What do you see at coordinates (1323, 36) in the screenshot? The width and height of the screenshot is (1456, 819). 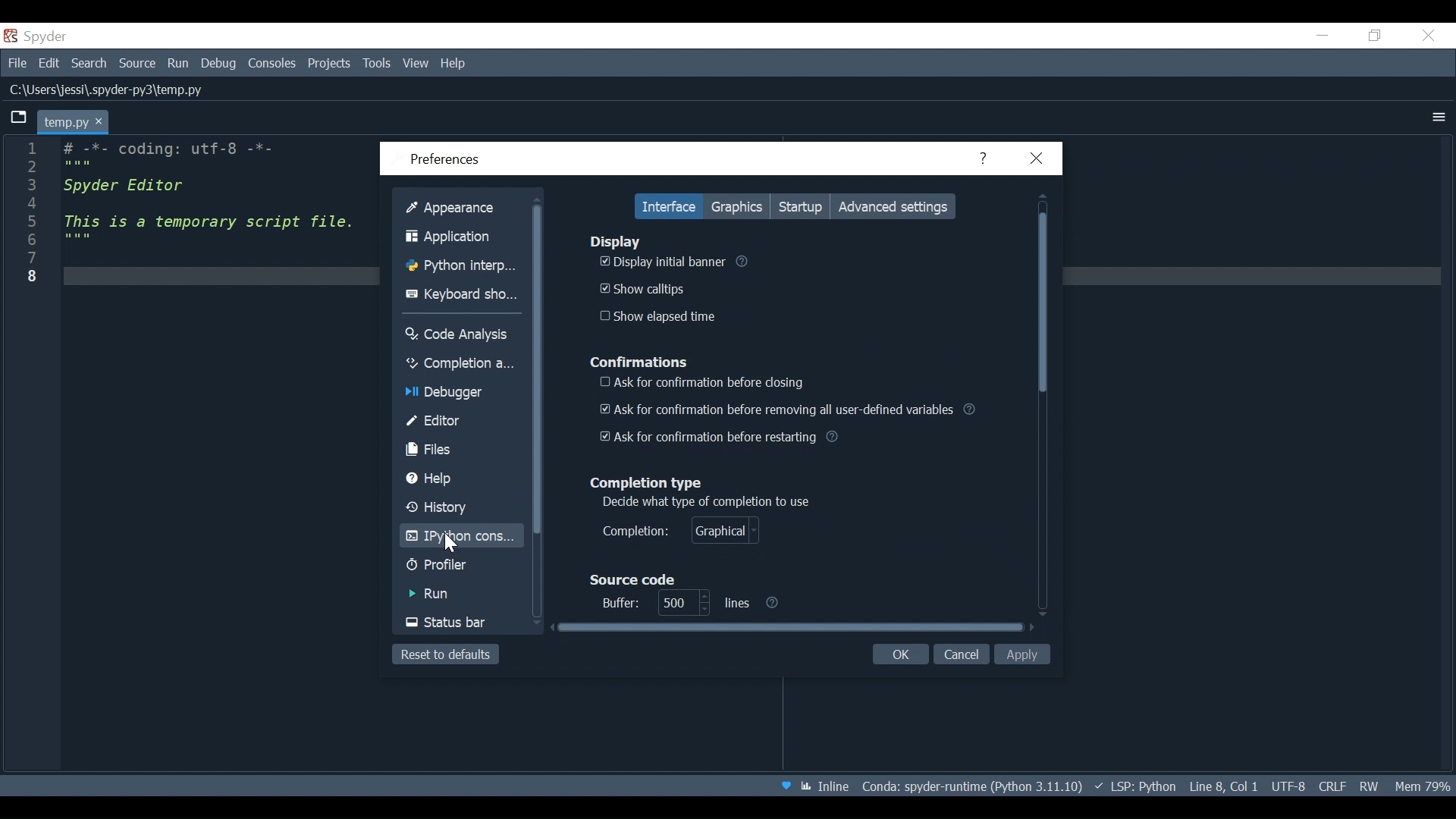 I see `` at bounding box center [1323, 36].